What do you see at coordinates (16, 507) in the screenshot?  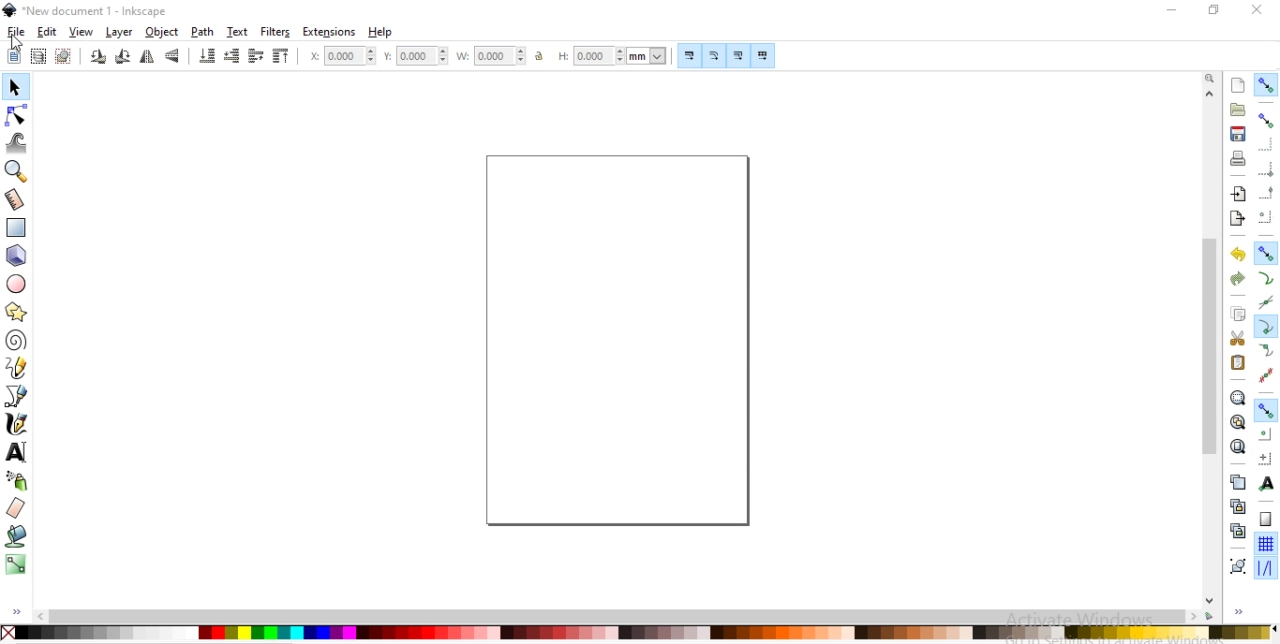 I see `erase existing paths` at bounding box center [16, 507].